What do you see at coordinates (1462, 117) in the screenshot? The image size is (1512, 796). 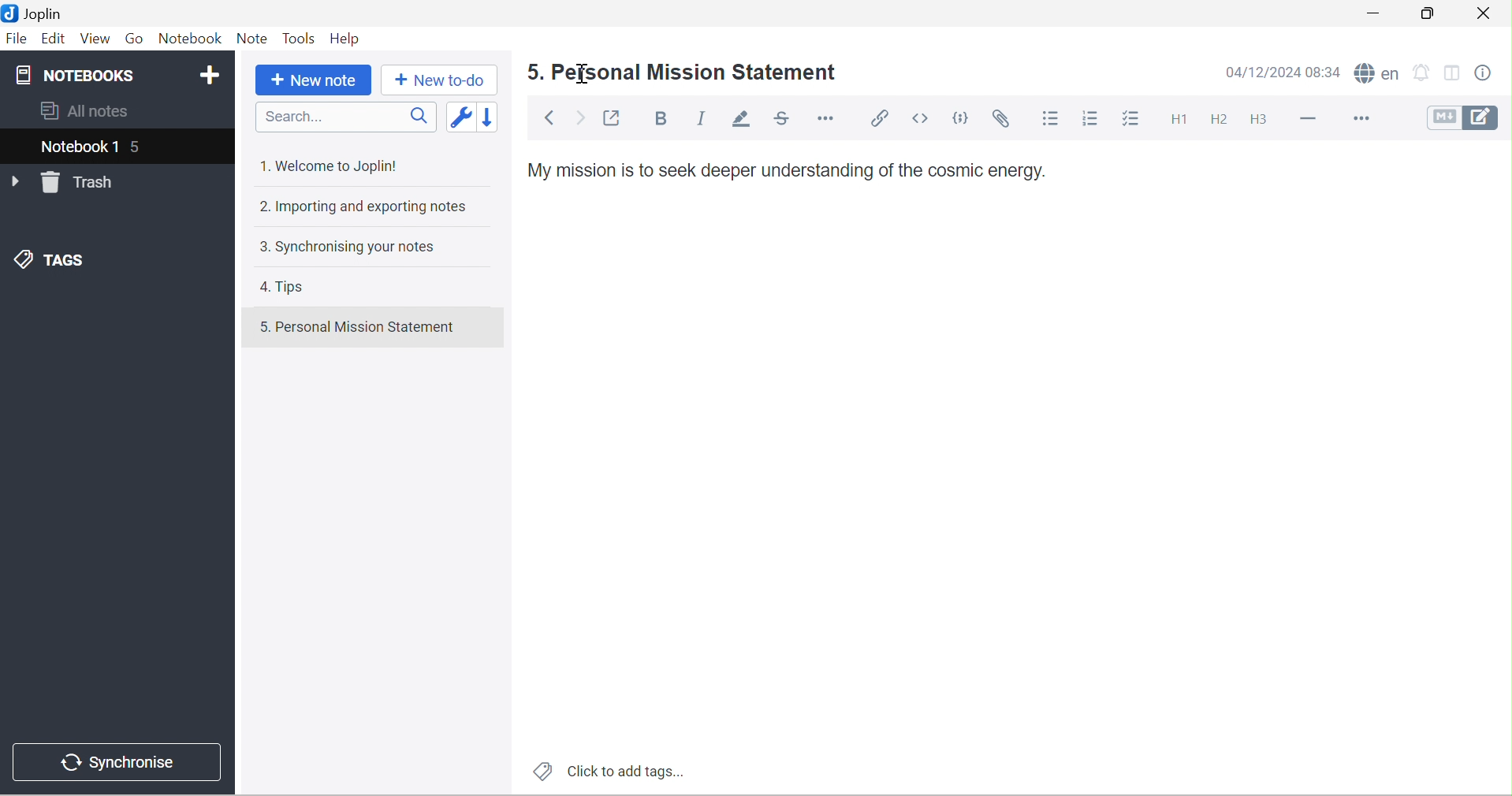 I see `Toggle editors` at bounding box center [1462, 117].